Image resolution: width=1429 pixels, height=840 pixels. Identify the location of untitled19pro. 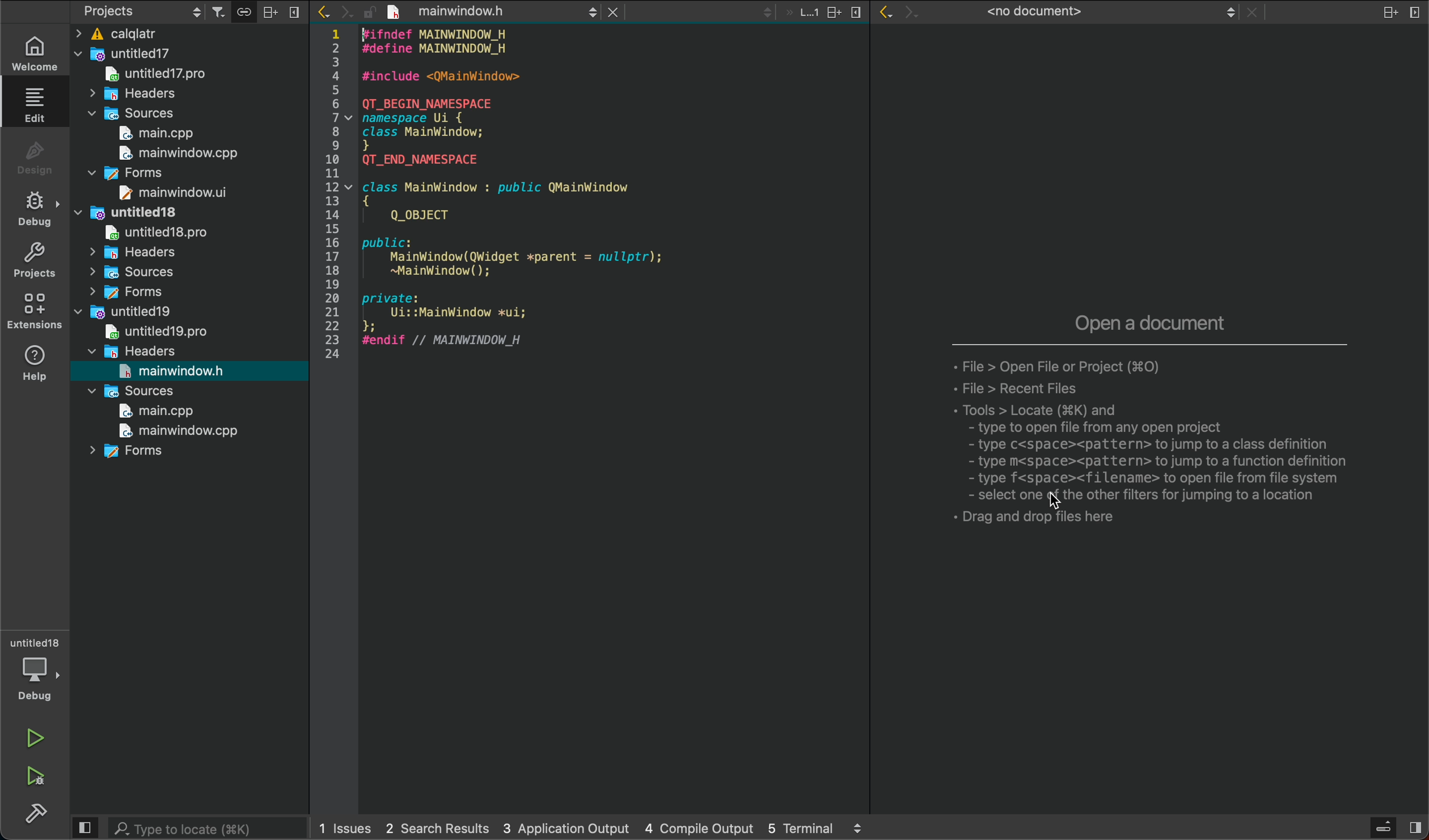
(152, 330).